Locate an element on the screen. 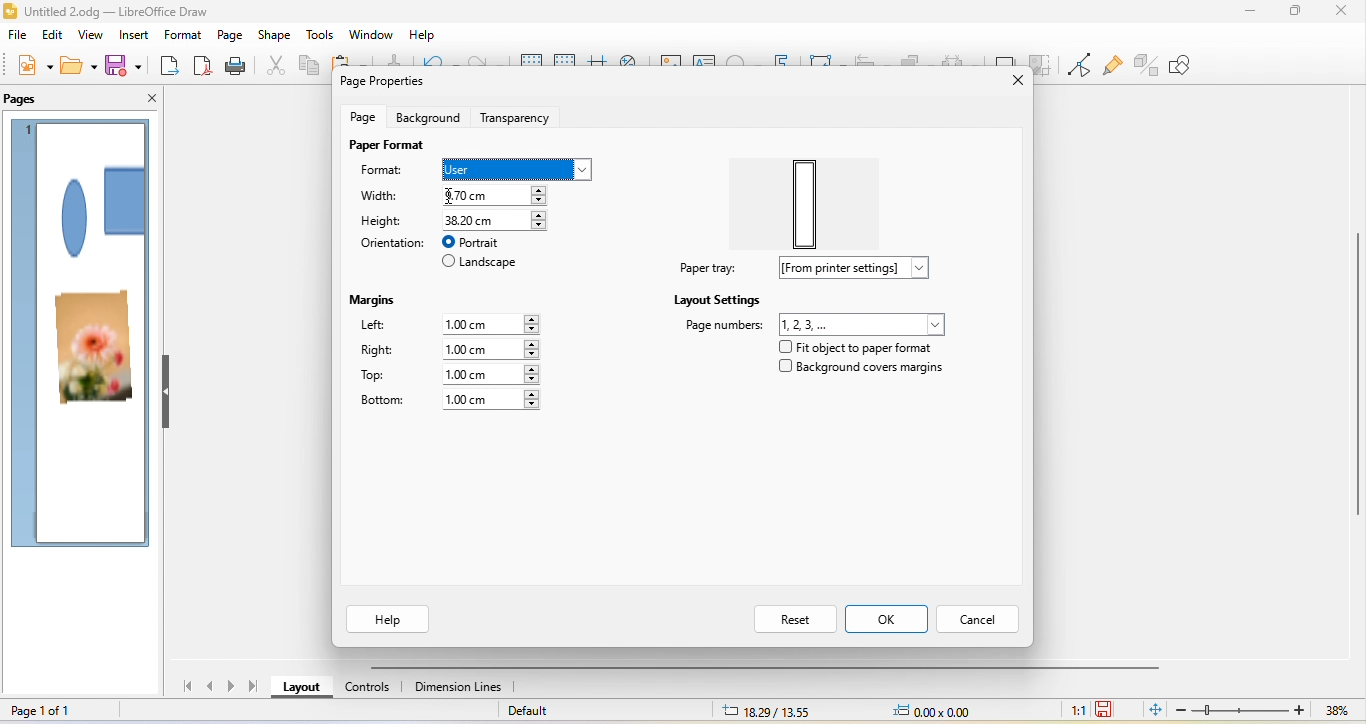 This screenshot has width=1366, height=724. portrait is located at coordinates (479, 241).